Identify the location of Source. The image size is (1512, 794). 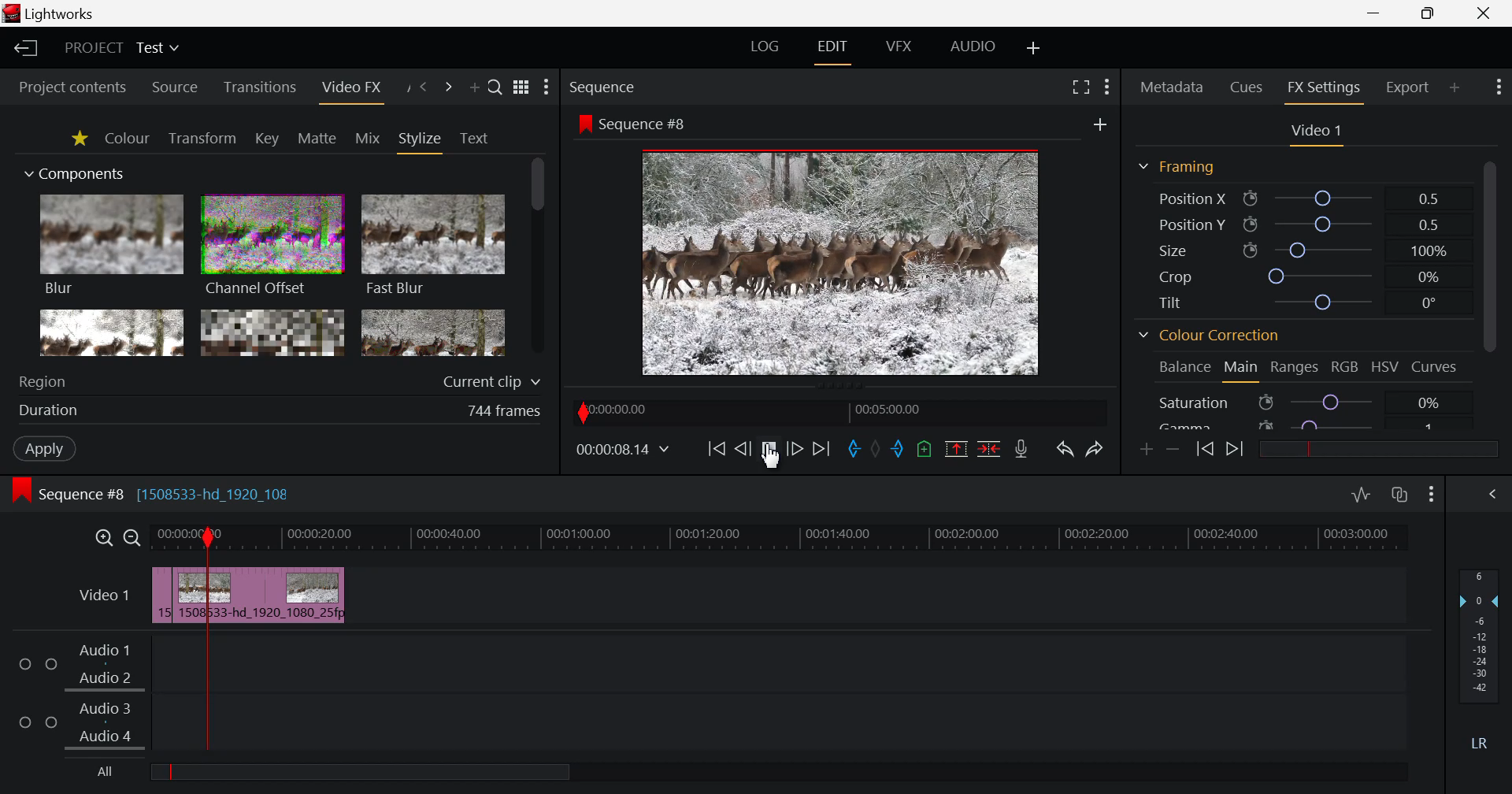
(176, 87).